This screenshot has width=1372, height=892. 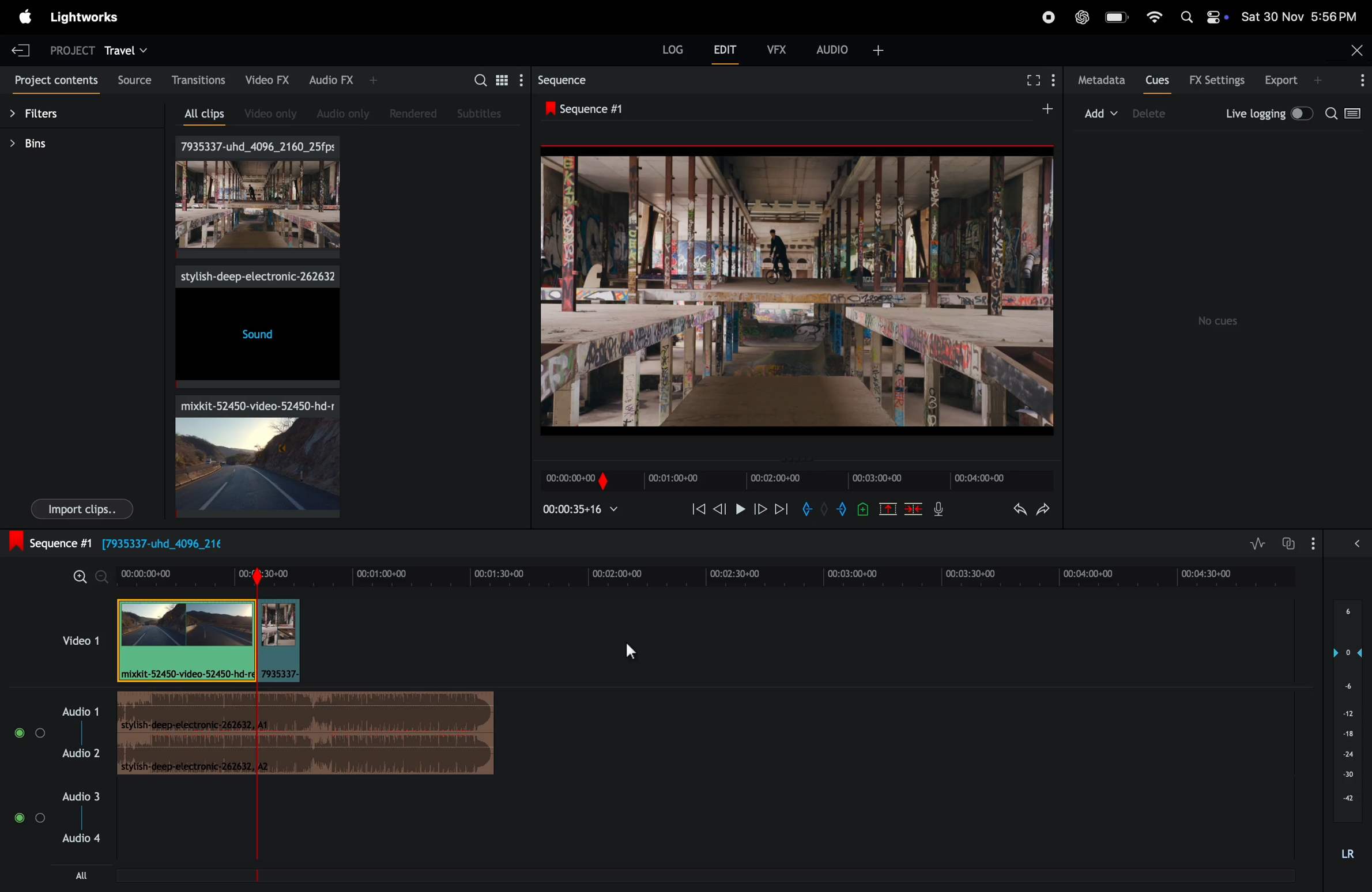 What do you see at coordinates (1291, 542) in the screenshot?
I see `toggle audio track sync` at bounding box center [1291, 542].